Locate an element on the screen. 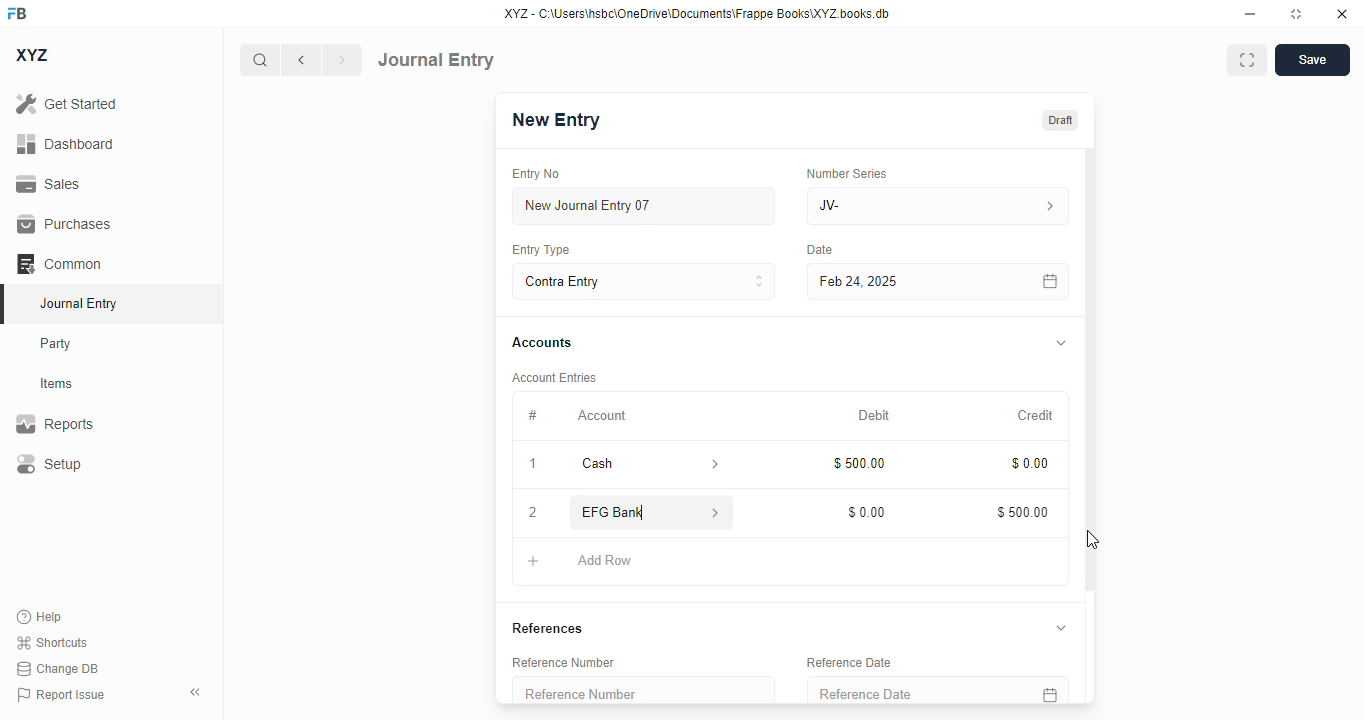 Image resolution: width=1364 pixels, height=720 pixels. account information is located at coordinates (716, 512).